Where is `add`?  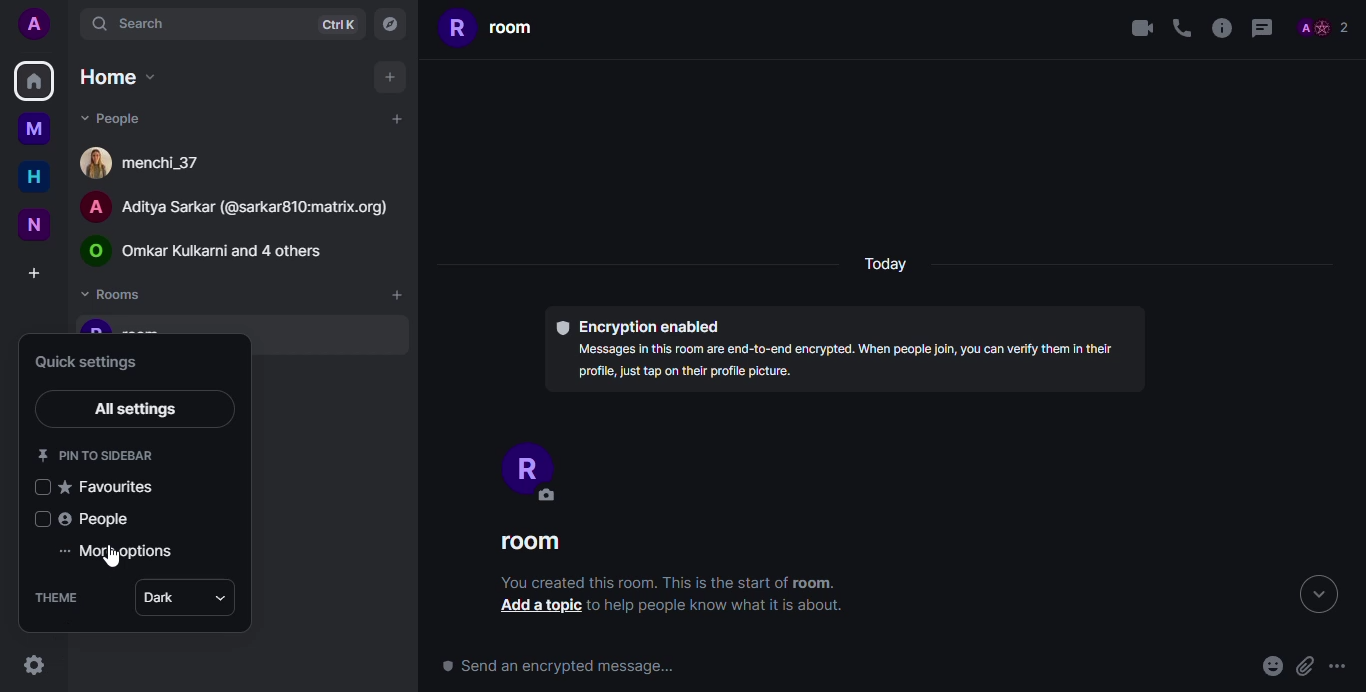
add is located at coordinates (389, 76).